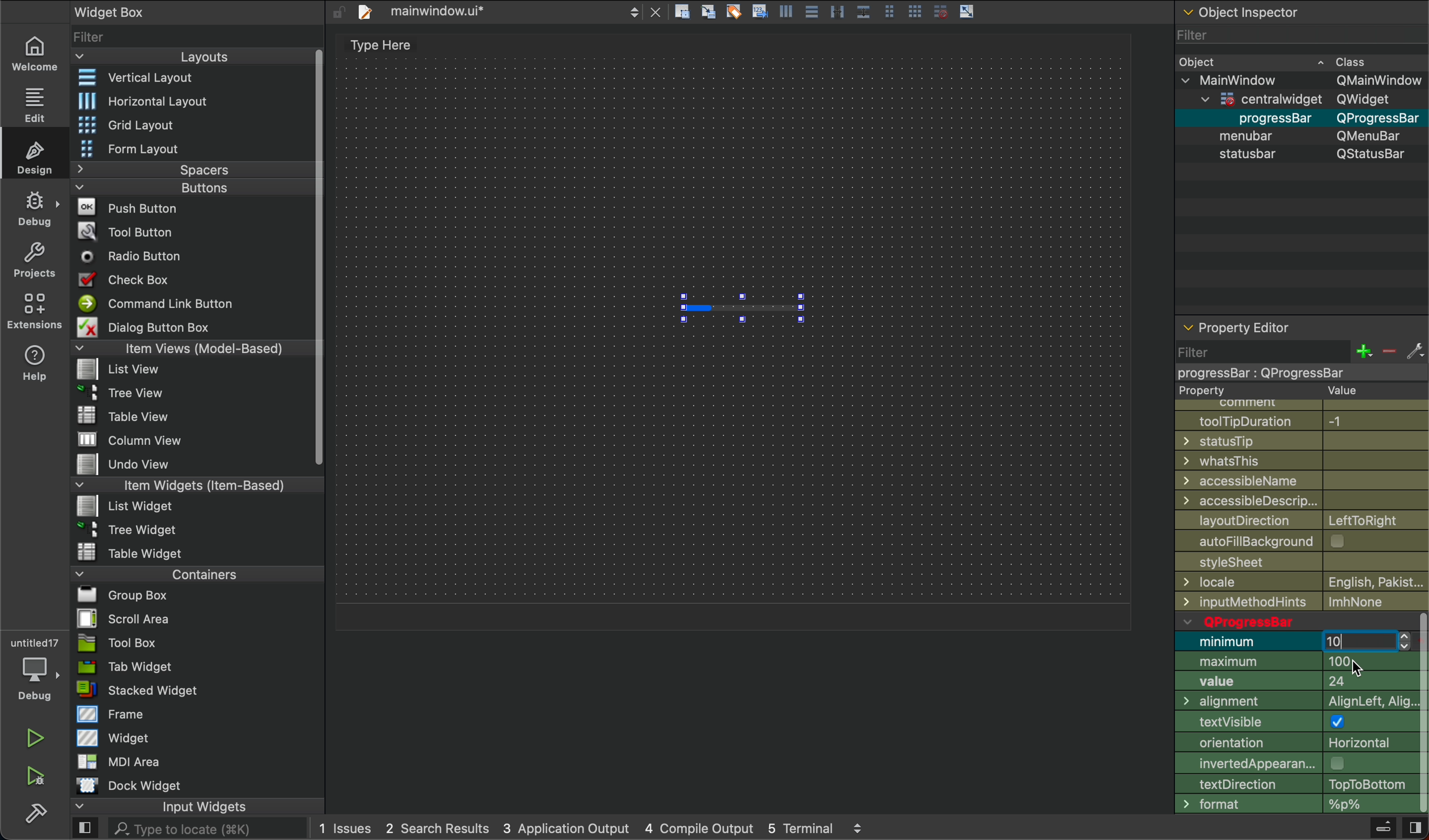  What do you see at coordinates (1358, 668) in the screenshot?
I see `cursor` at bounding box center [1358, 668].